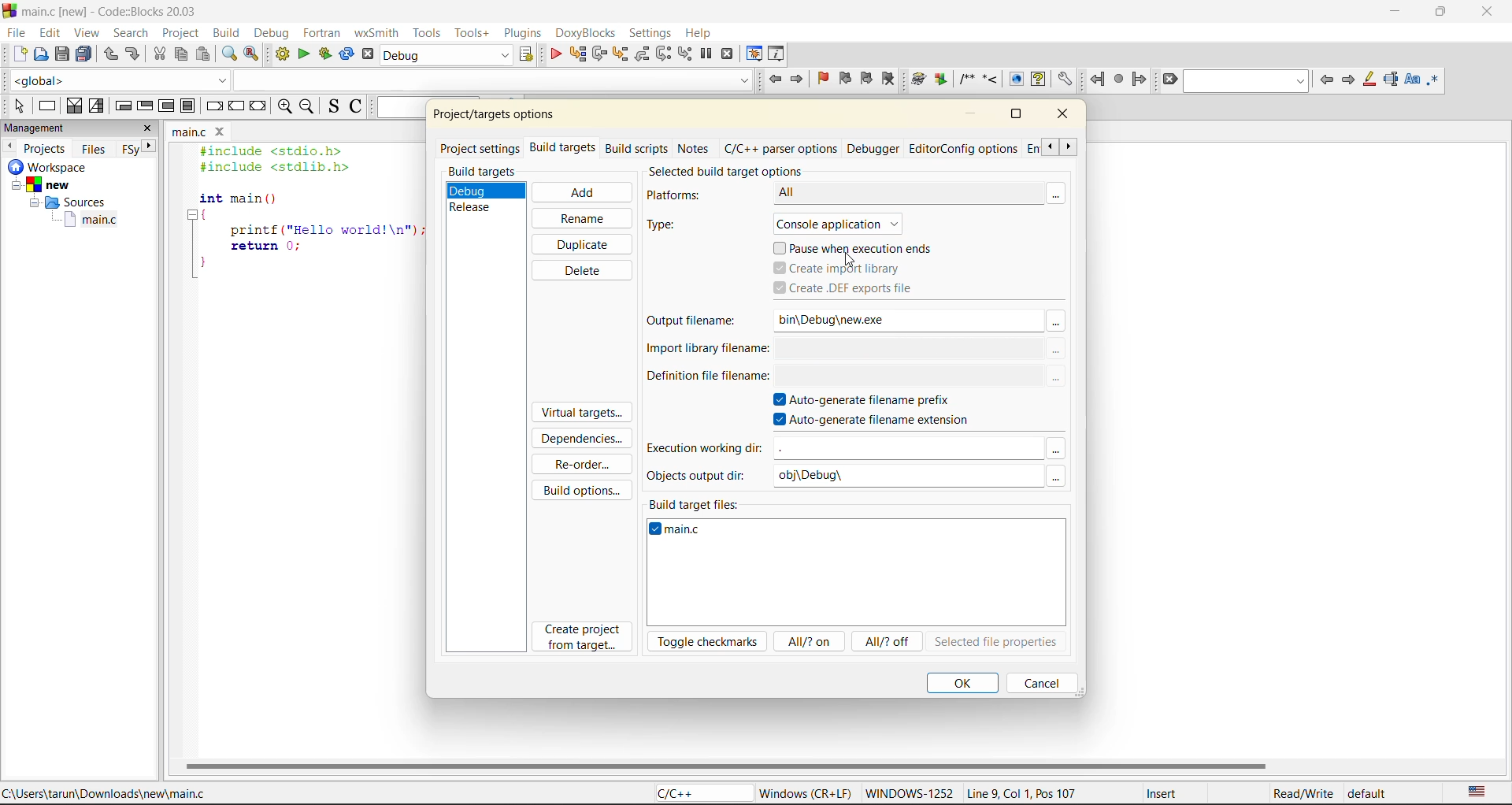 The width and height of the screenshot is (1512, 805). Describe the element at coordinates (17, 35) in the screenshot. I see `file` at that location.